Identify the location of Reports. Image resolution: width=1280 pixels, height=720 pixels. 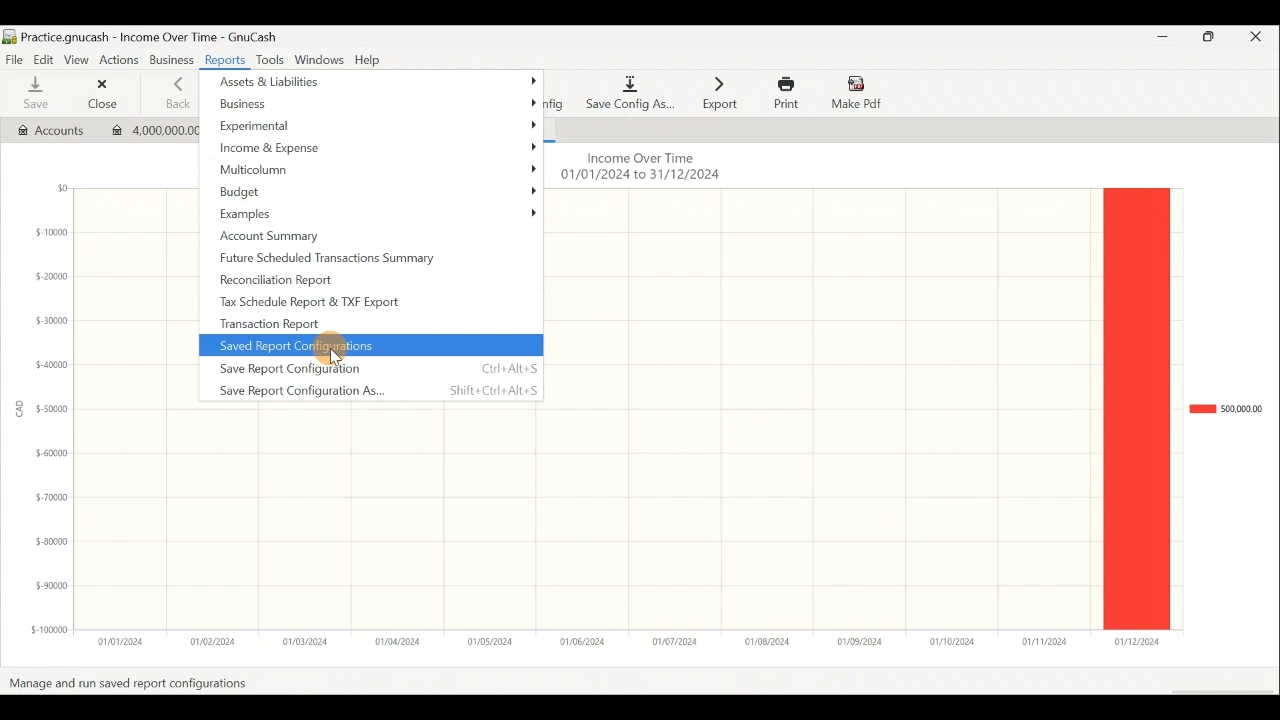
(227, 60).